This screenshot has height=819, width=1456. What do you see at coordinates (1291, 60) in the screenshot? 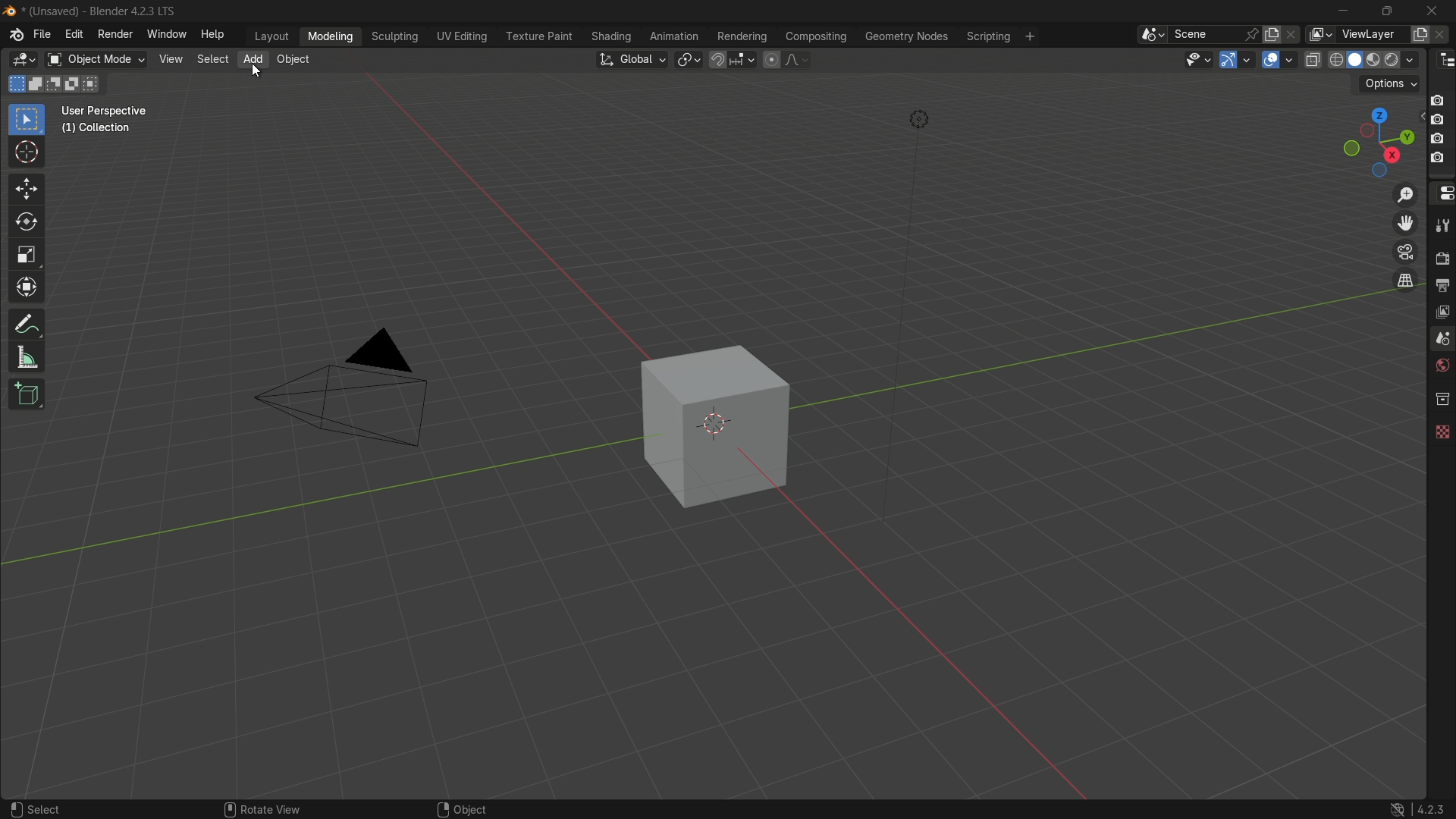
I see `show overlays` at bounding box center [1291, 60].